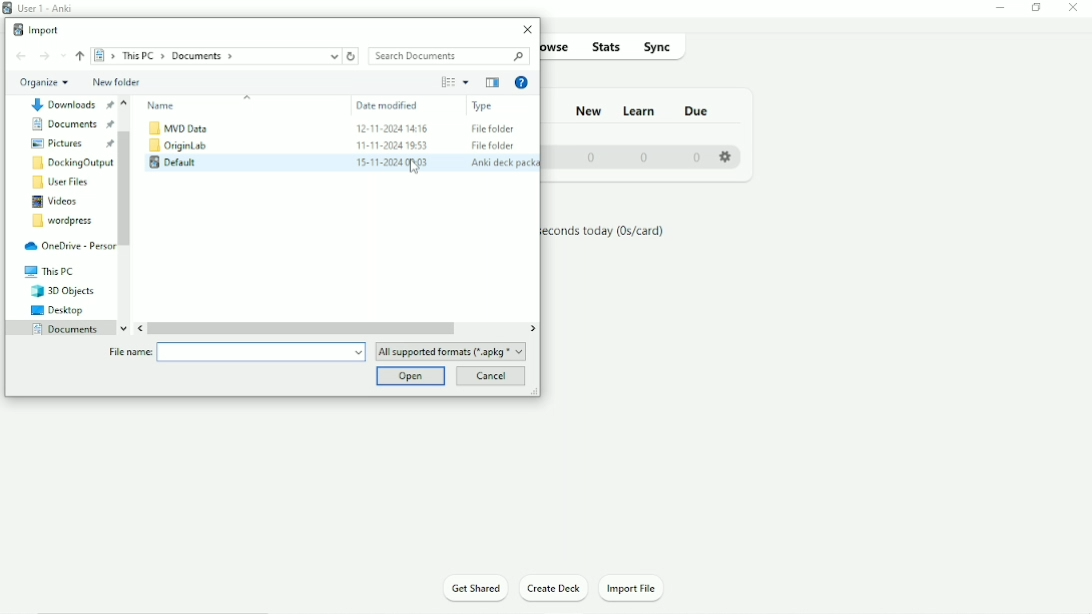 The width and height of the screenshot is (1092, 614). I want to click on Documents, so click(62, 328).